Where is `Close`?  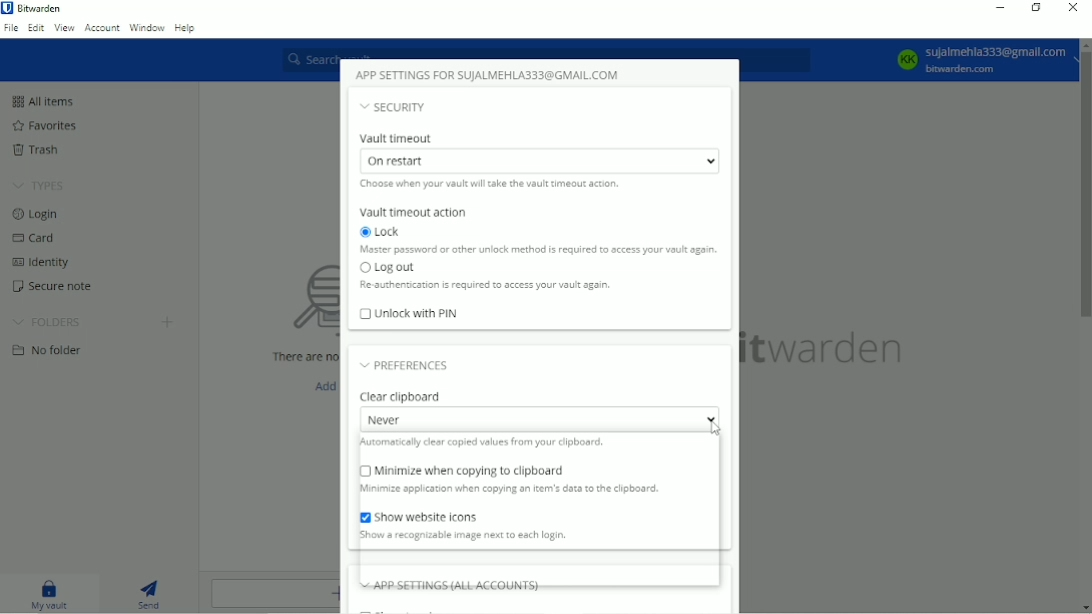
Close is located at coordinates (1074, 9).